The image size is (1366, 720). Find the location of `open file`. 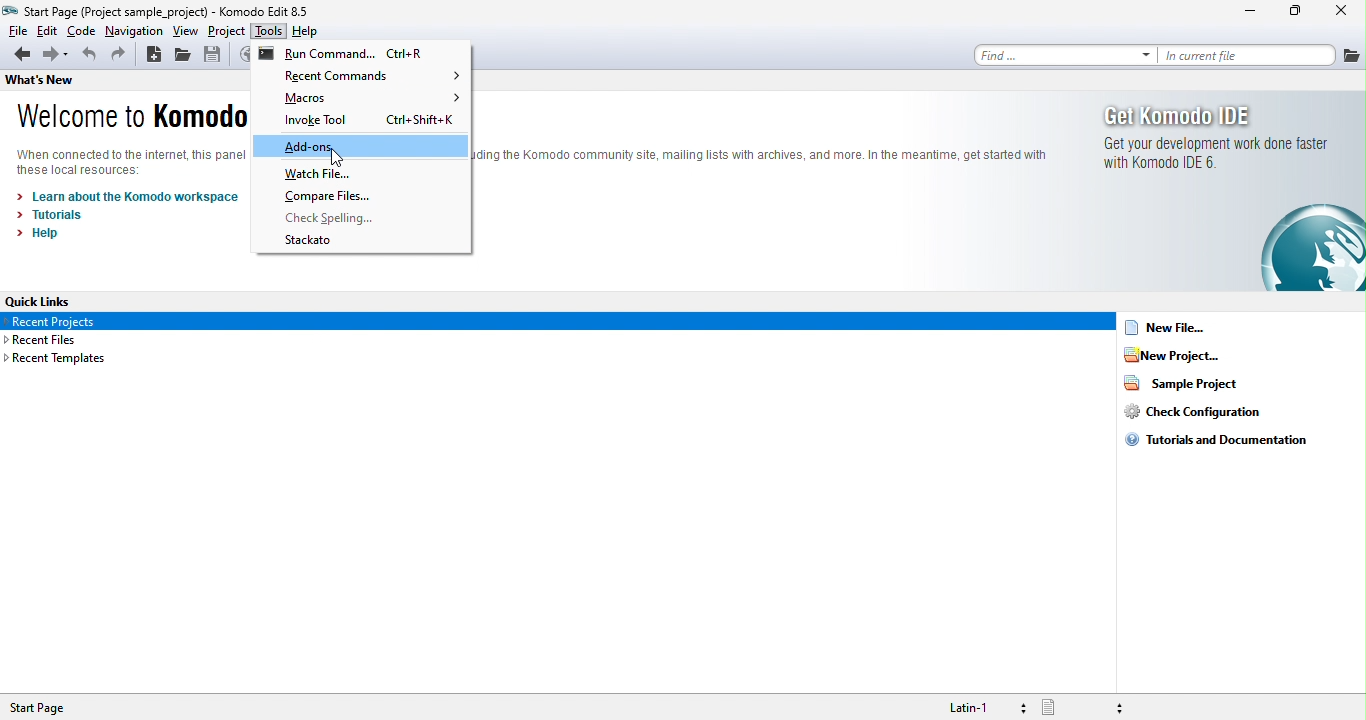

open file is located at coordinates (186, 57).